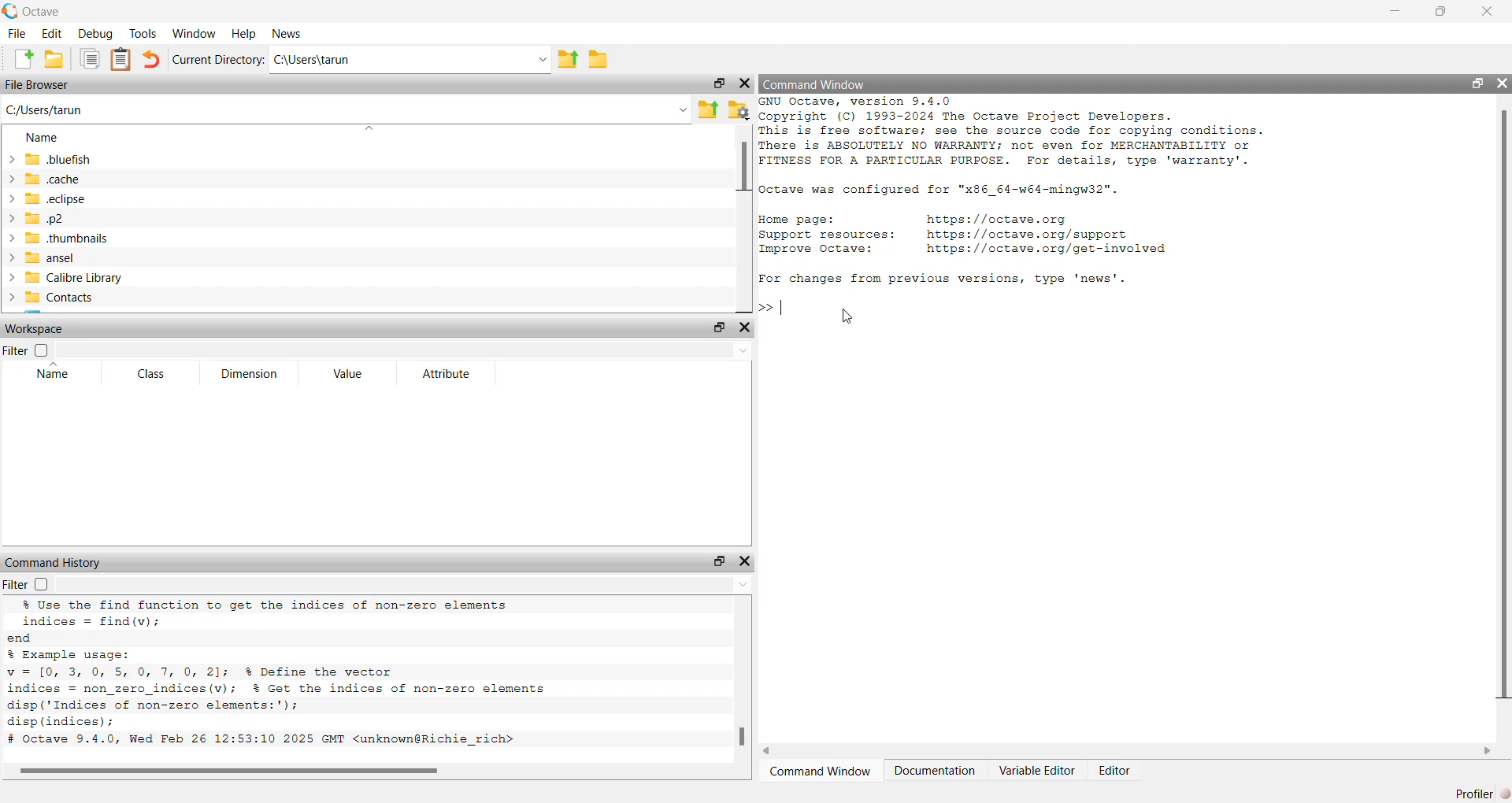 The height and width of the screenshot is (803, 1512). Describe the element at coordinates (42, 13) in the screenshot. I see `Octave` at that location.